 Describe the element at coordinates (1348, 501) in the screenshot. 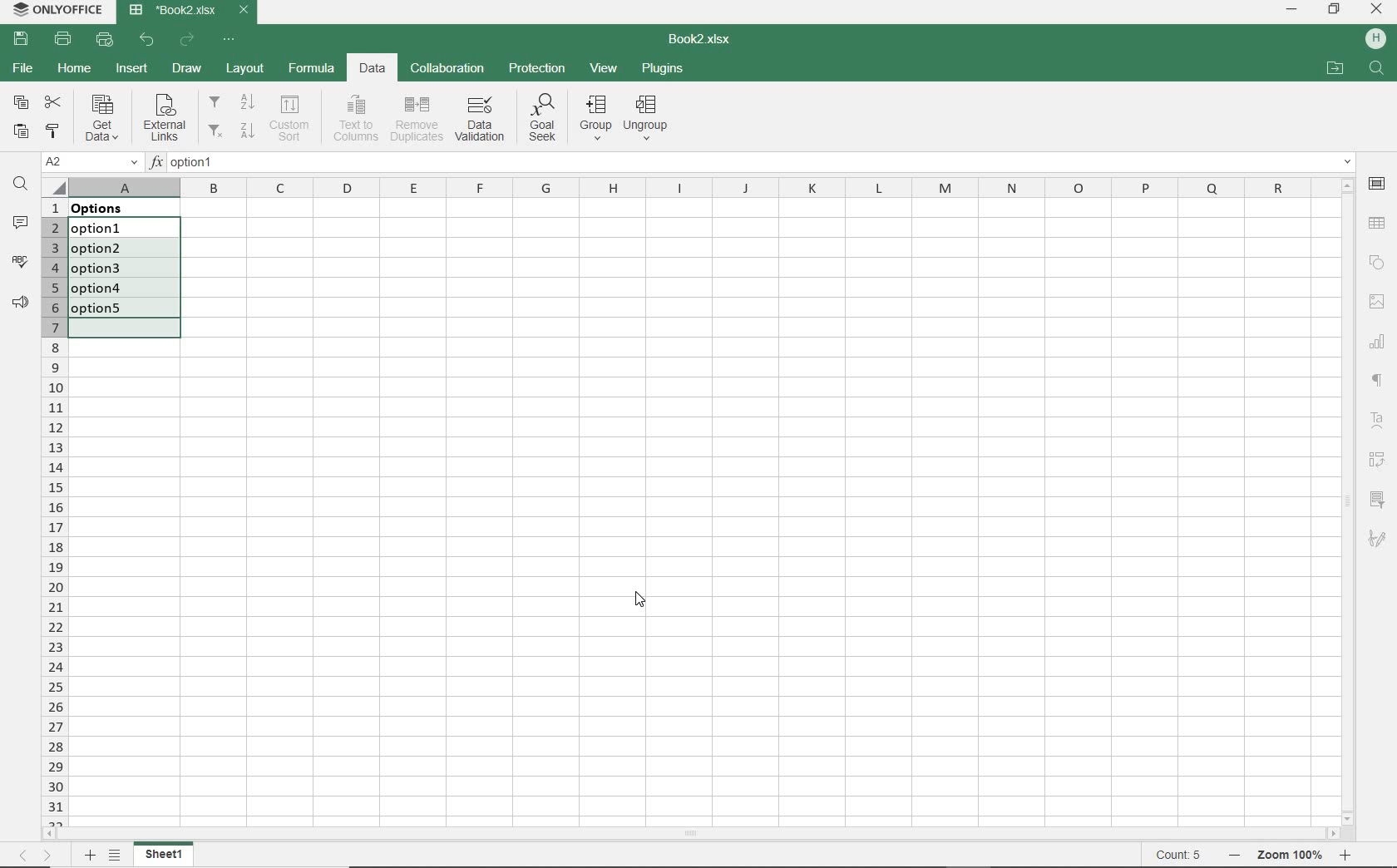

I see `SCROLLBAR` at that location.